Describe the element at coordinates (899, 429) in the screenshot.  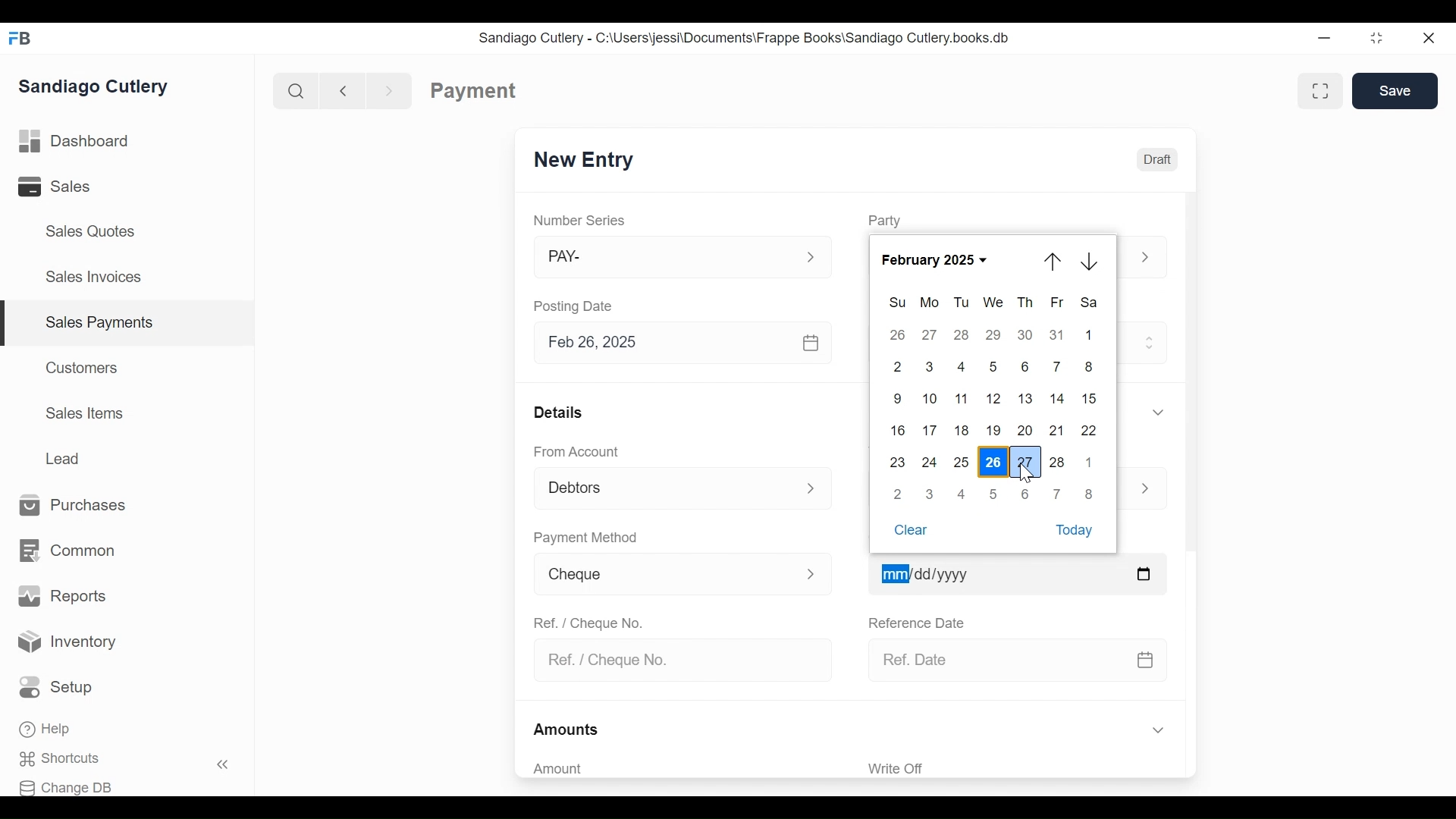
I see `16` at that location.